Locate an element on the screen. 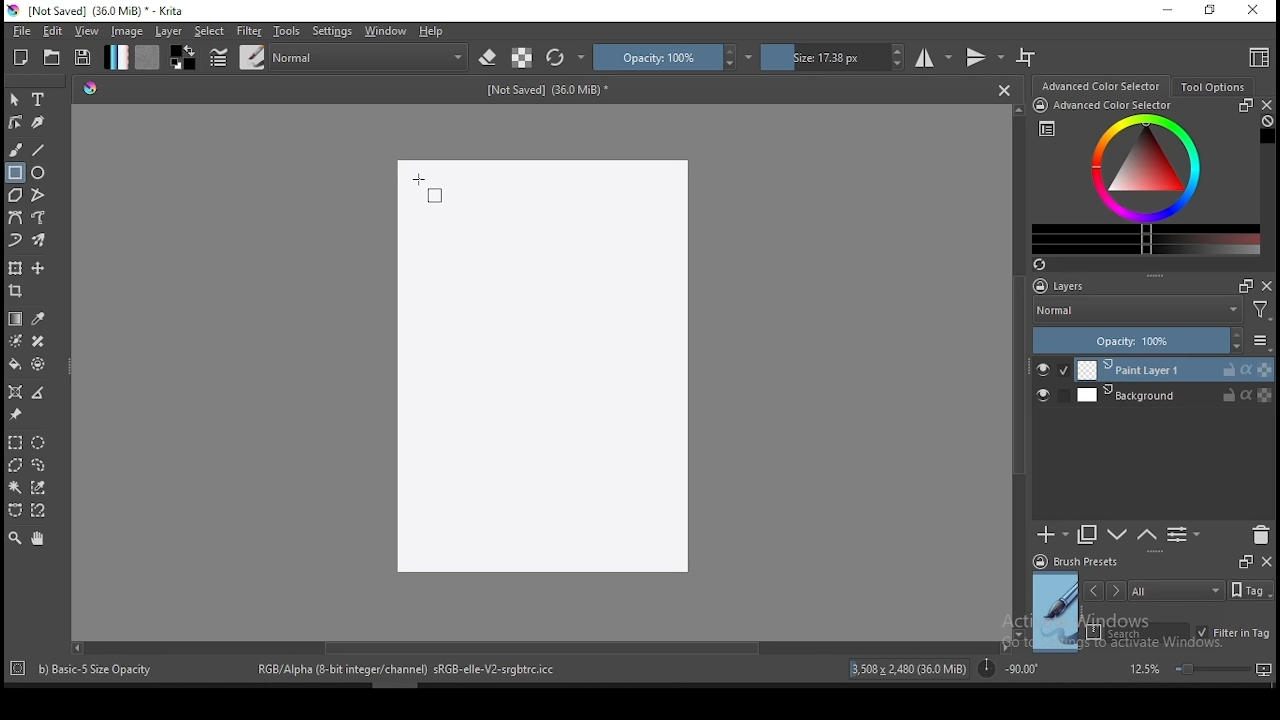 The width and height of the screenshot is (1280, 720). zoom tool is located at coordinates (15, 537).